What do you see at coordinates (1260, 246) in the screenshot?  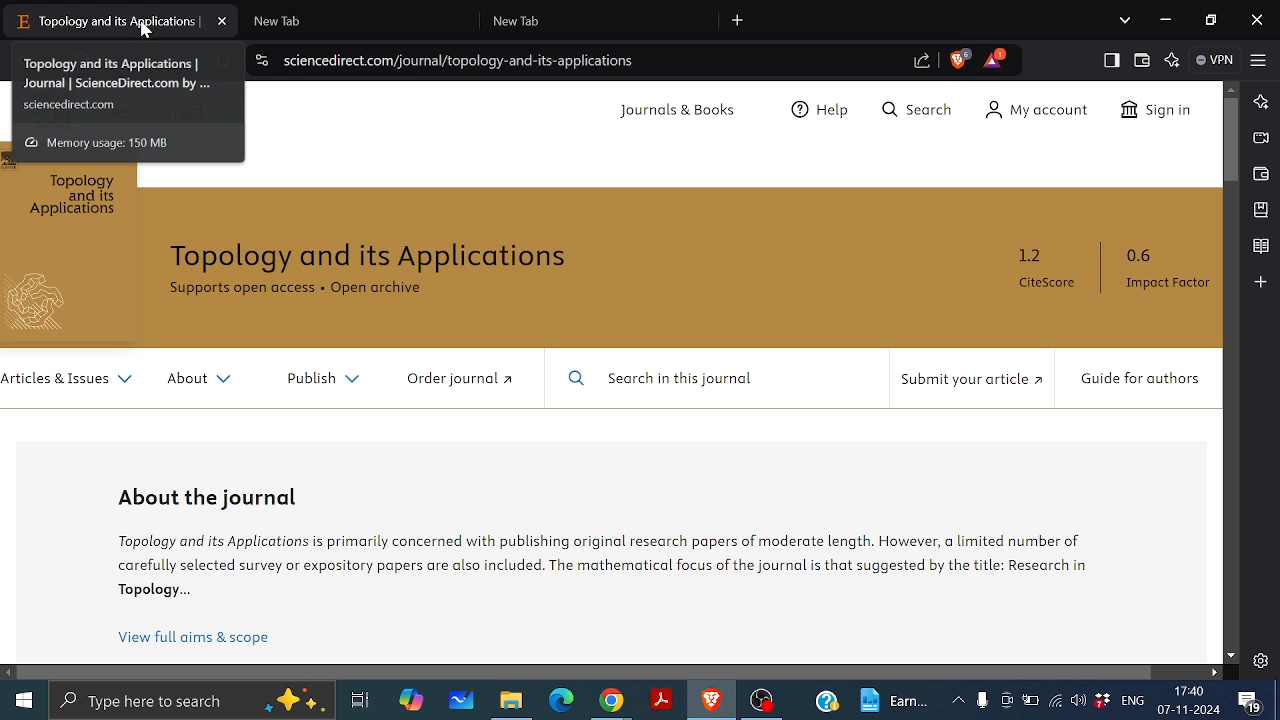 I see `Reading list` at bounding box center [1260, 246].